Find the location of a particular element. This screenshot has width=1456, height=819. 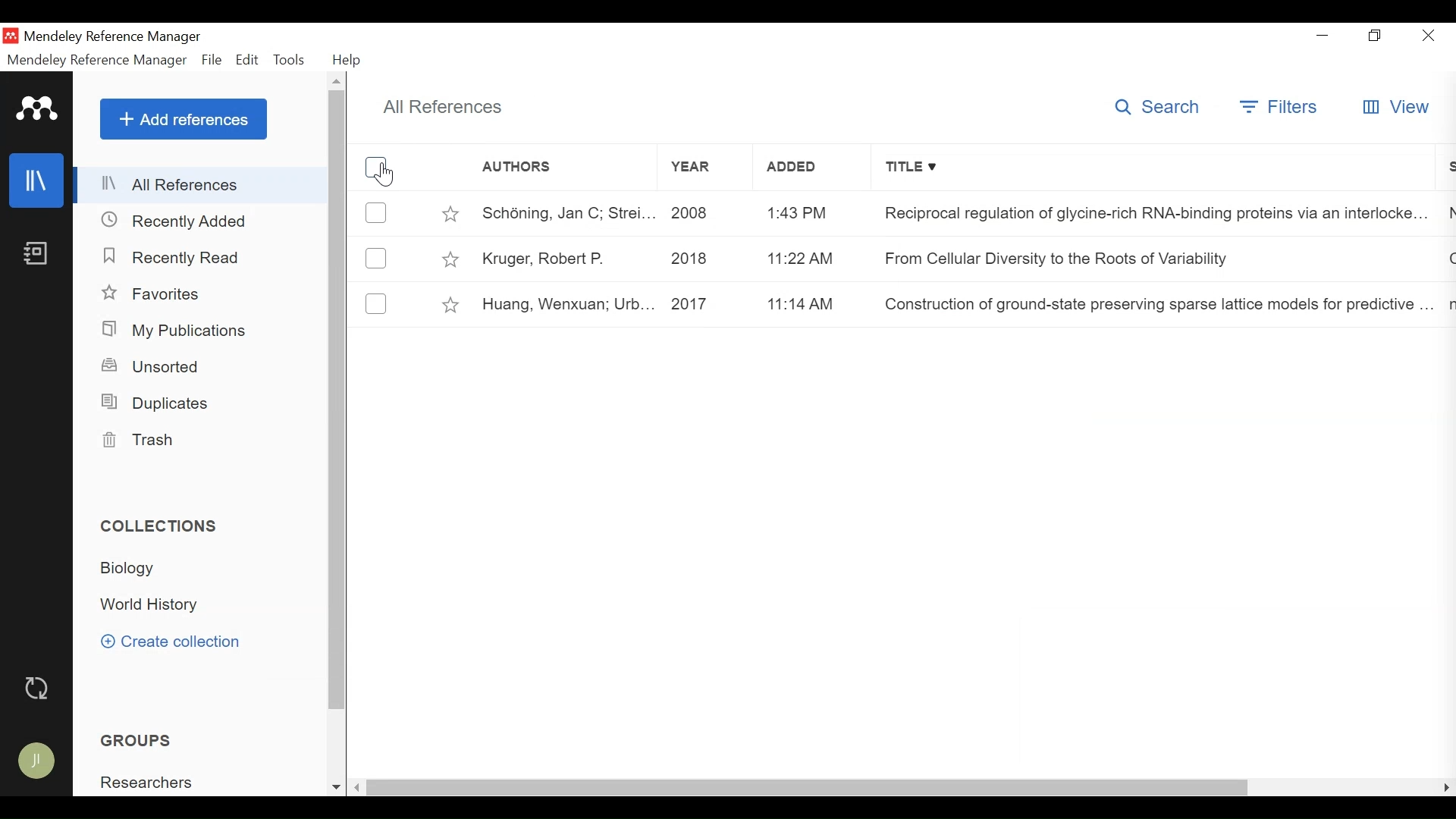

Recently Read is located at coordinates (175, 258).